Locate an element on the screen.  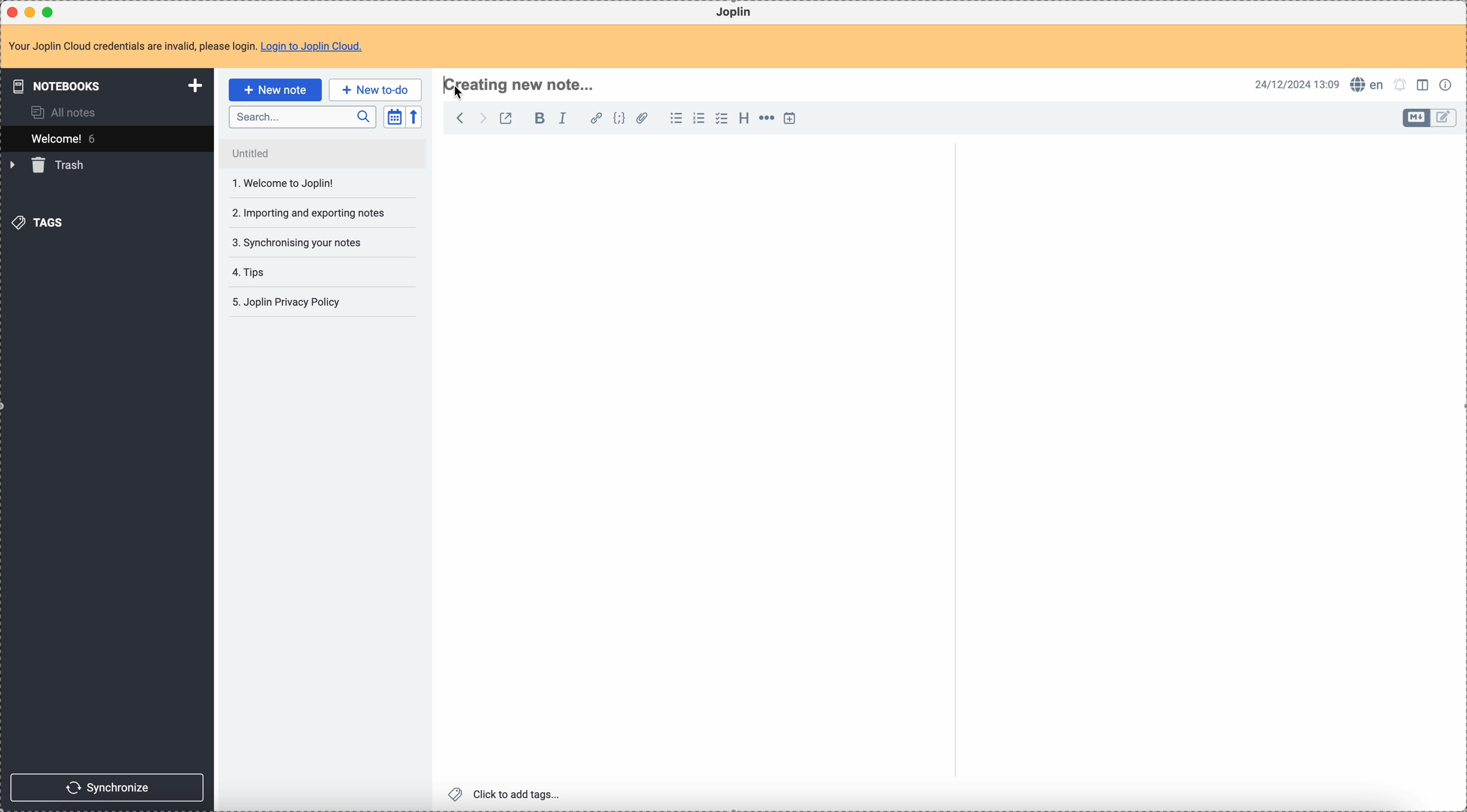
importing and exporting your notes is located at coordinates (310, 213).